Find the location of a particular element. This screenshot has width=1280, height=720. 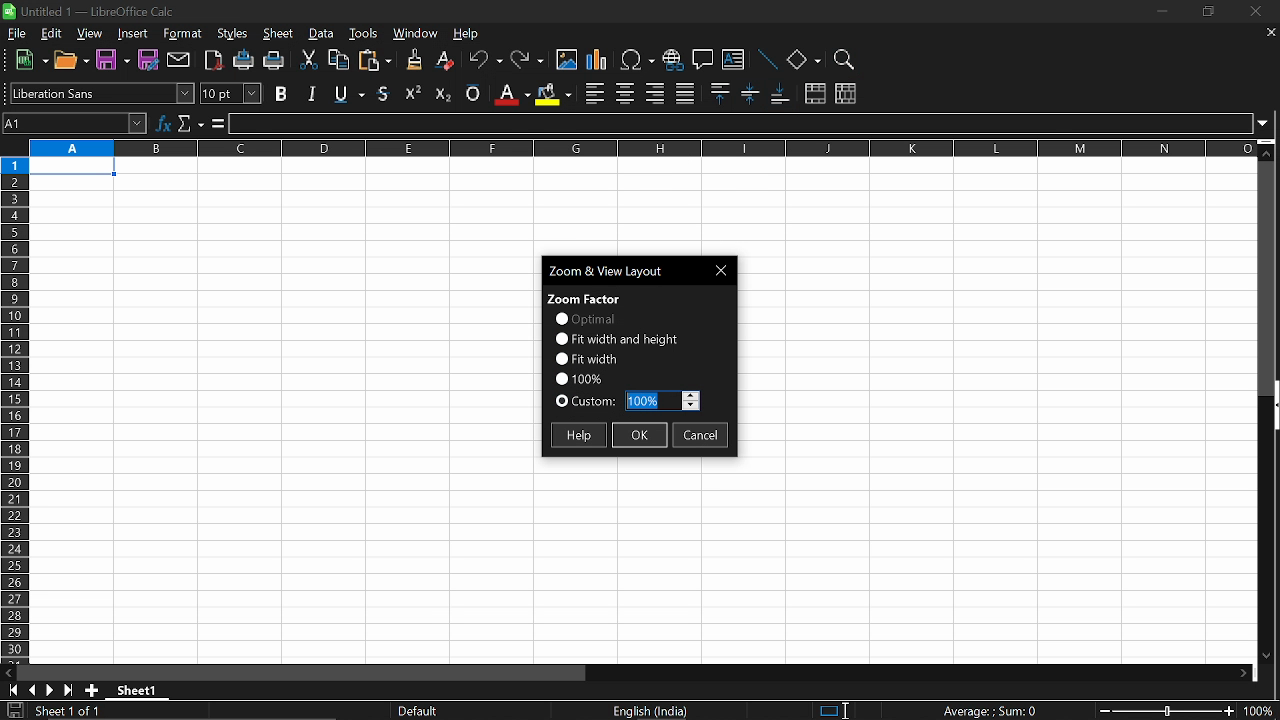

unmerge cells is located at coordinates (845, 93).